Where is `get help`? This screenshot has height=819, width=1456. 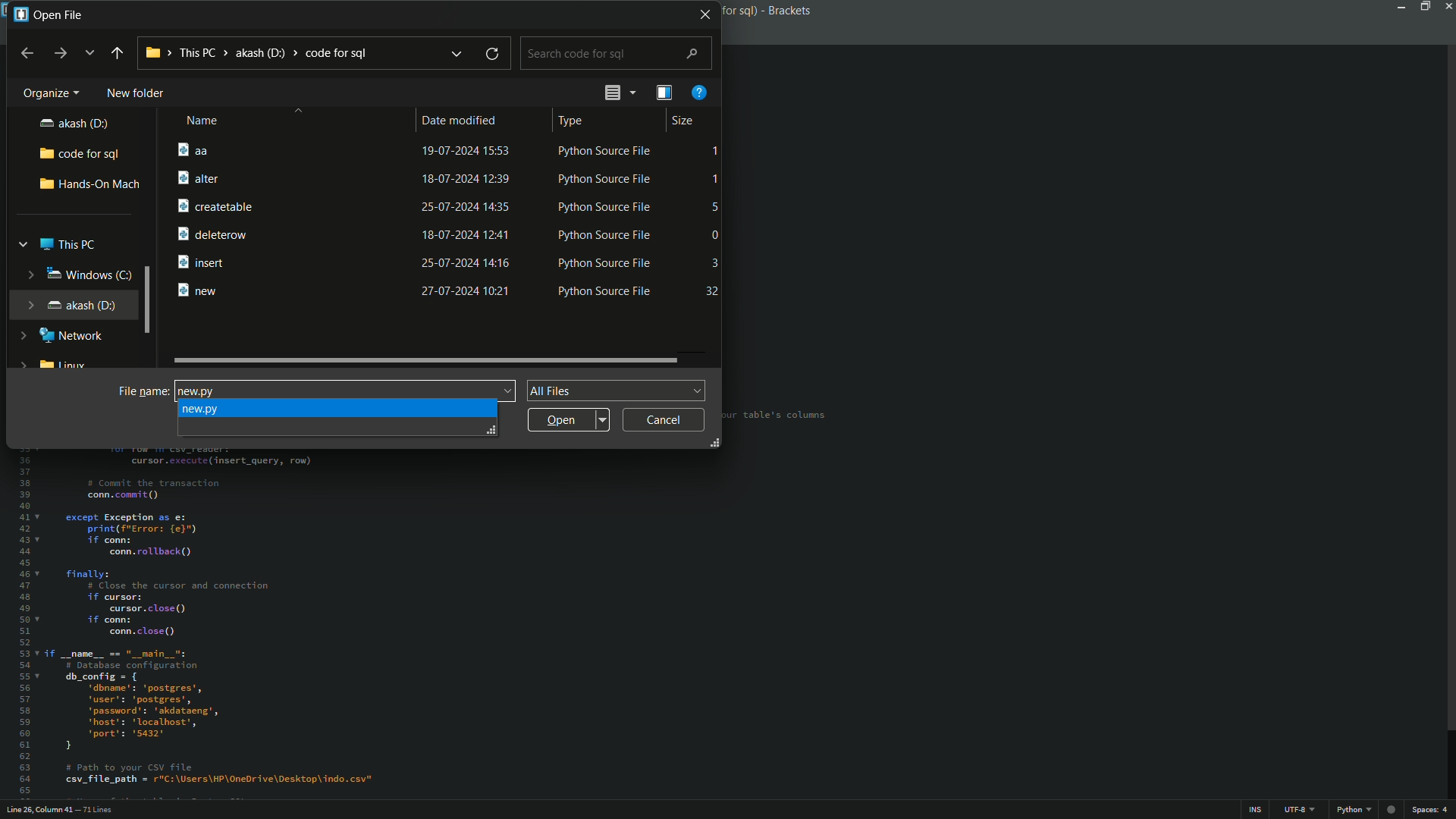 get help is located at coordinates (700, 93).